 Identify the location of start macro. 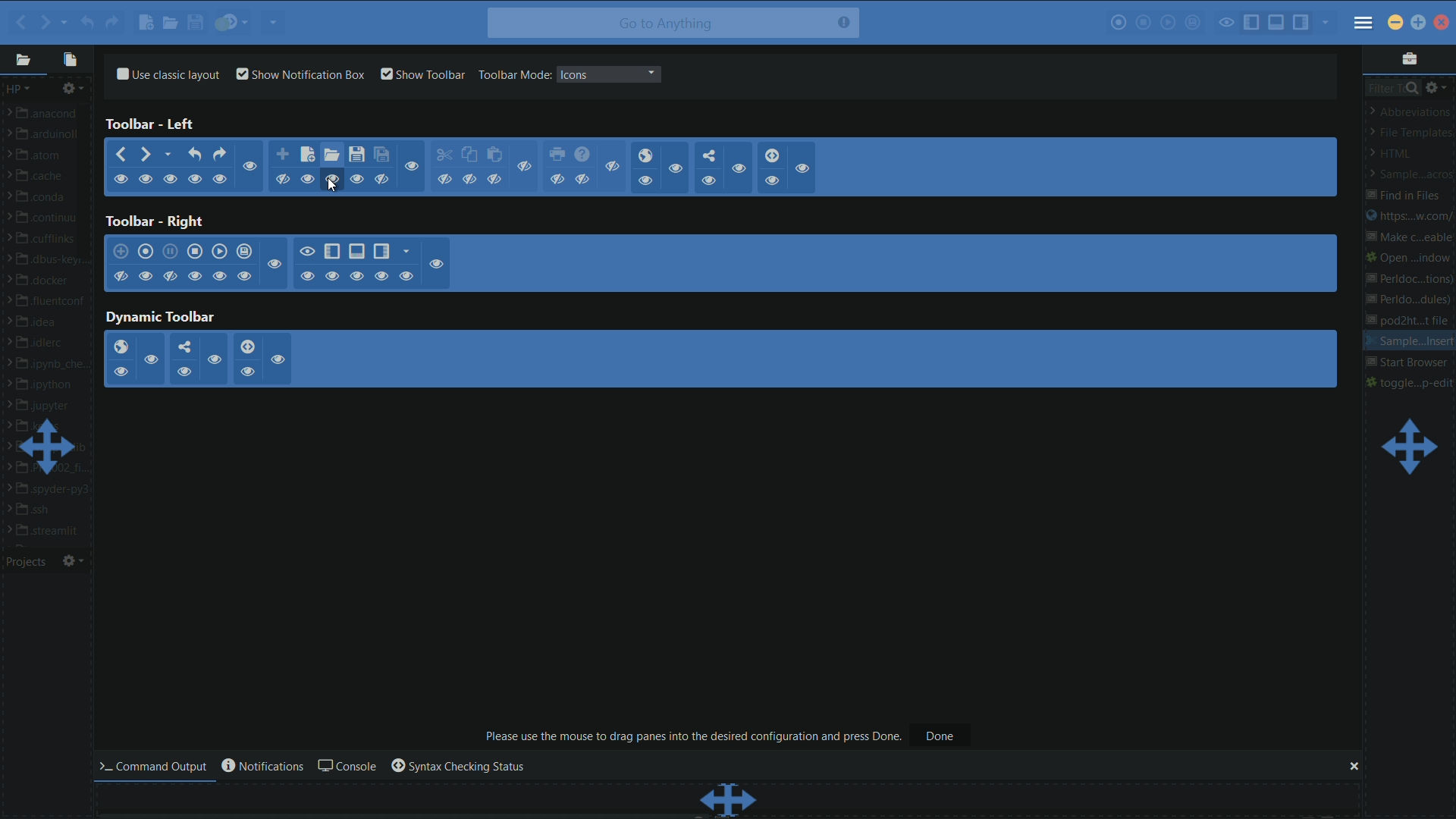
(148, 253).